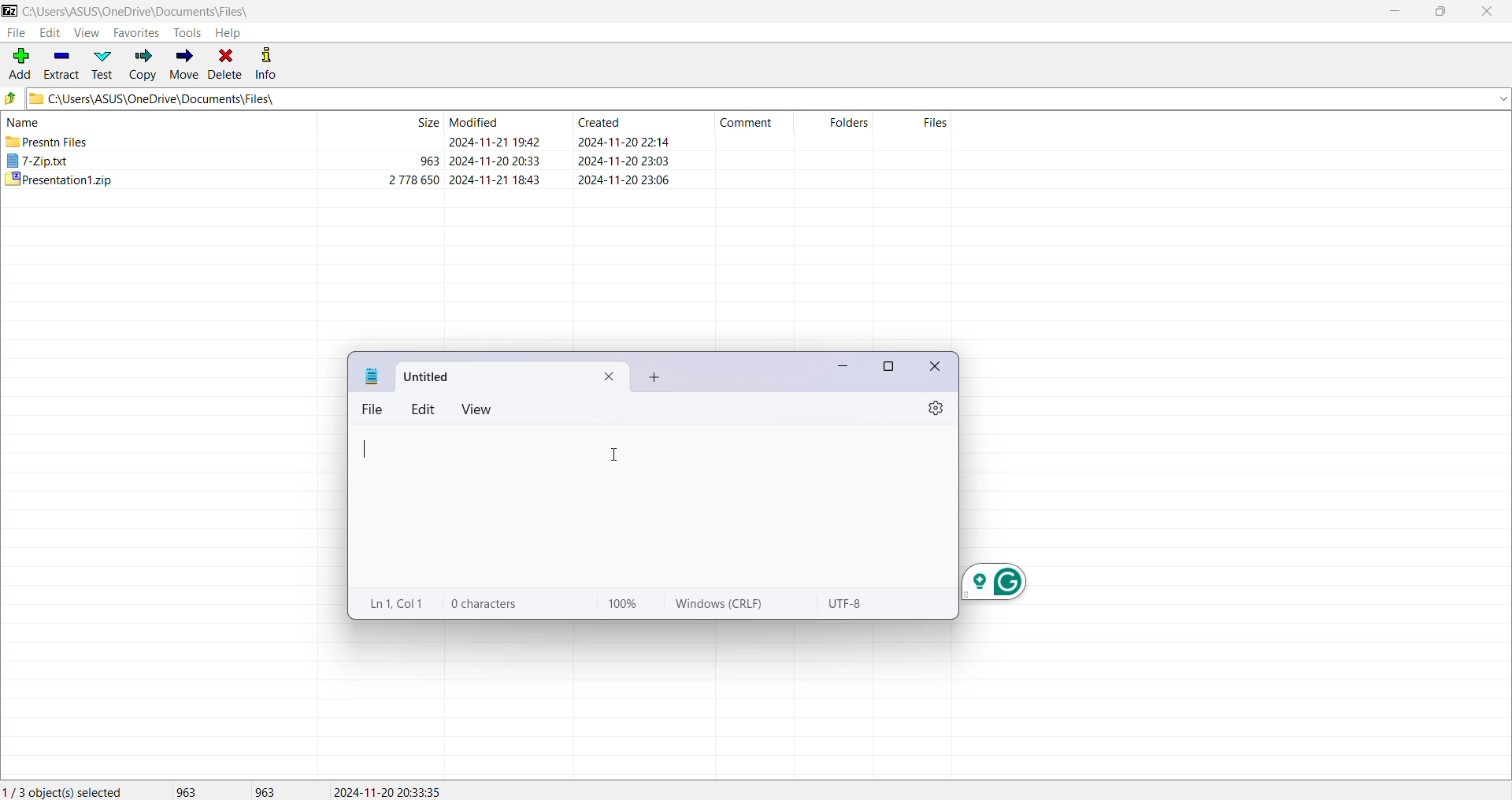 The height and width of the screenshot is (800, 1512). I want to click on minimize, so click(844, 366).